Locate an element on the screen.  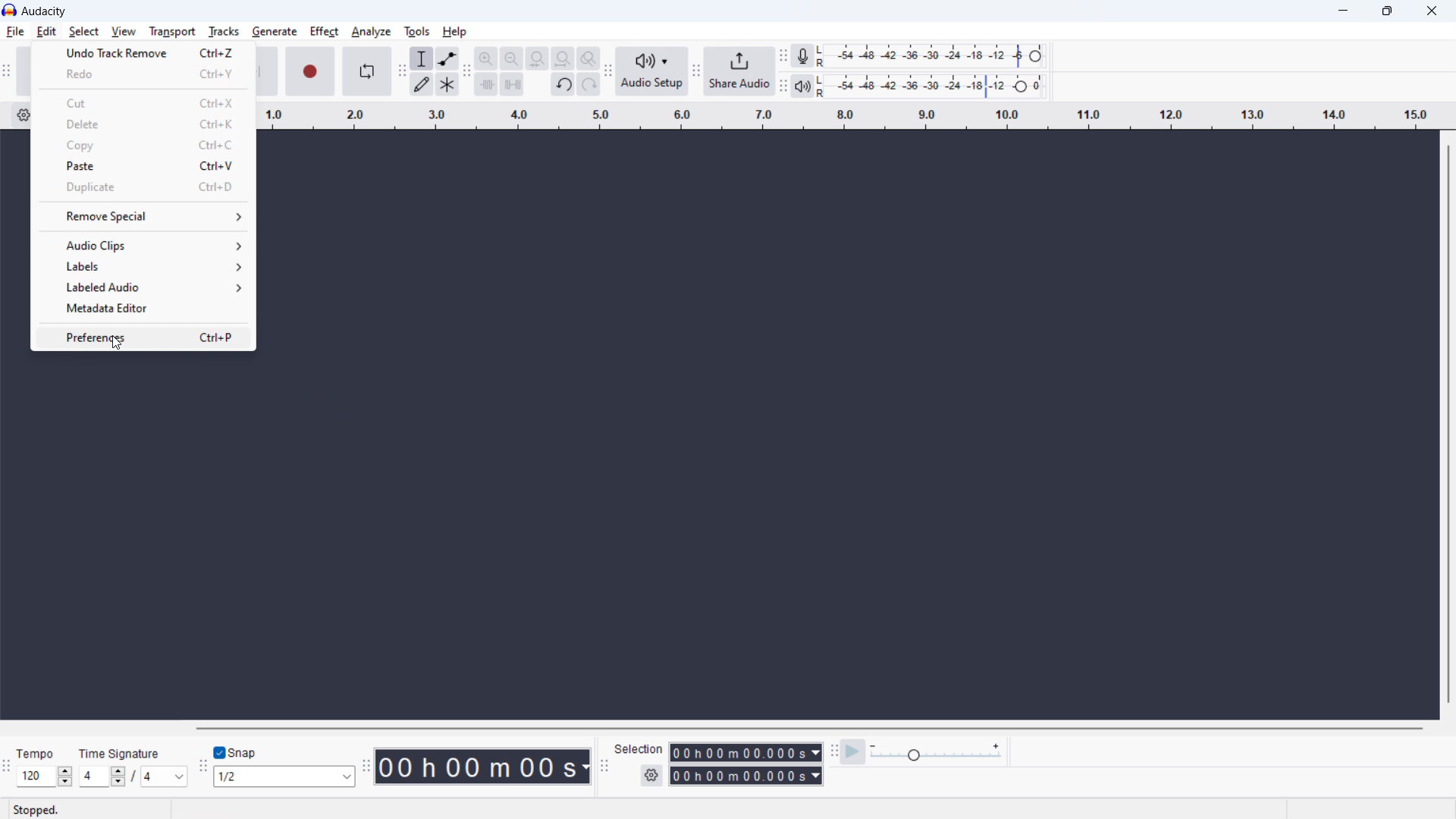
redo is located at coordinates (141, 75).